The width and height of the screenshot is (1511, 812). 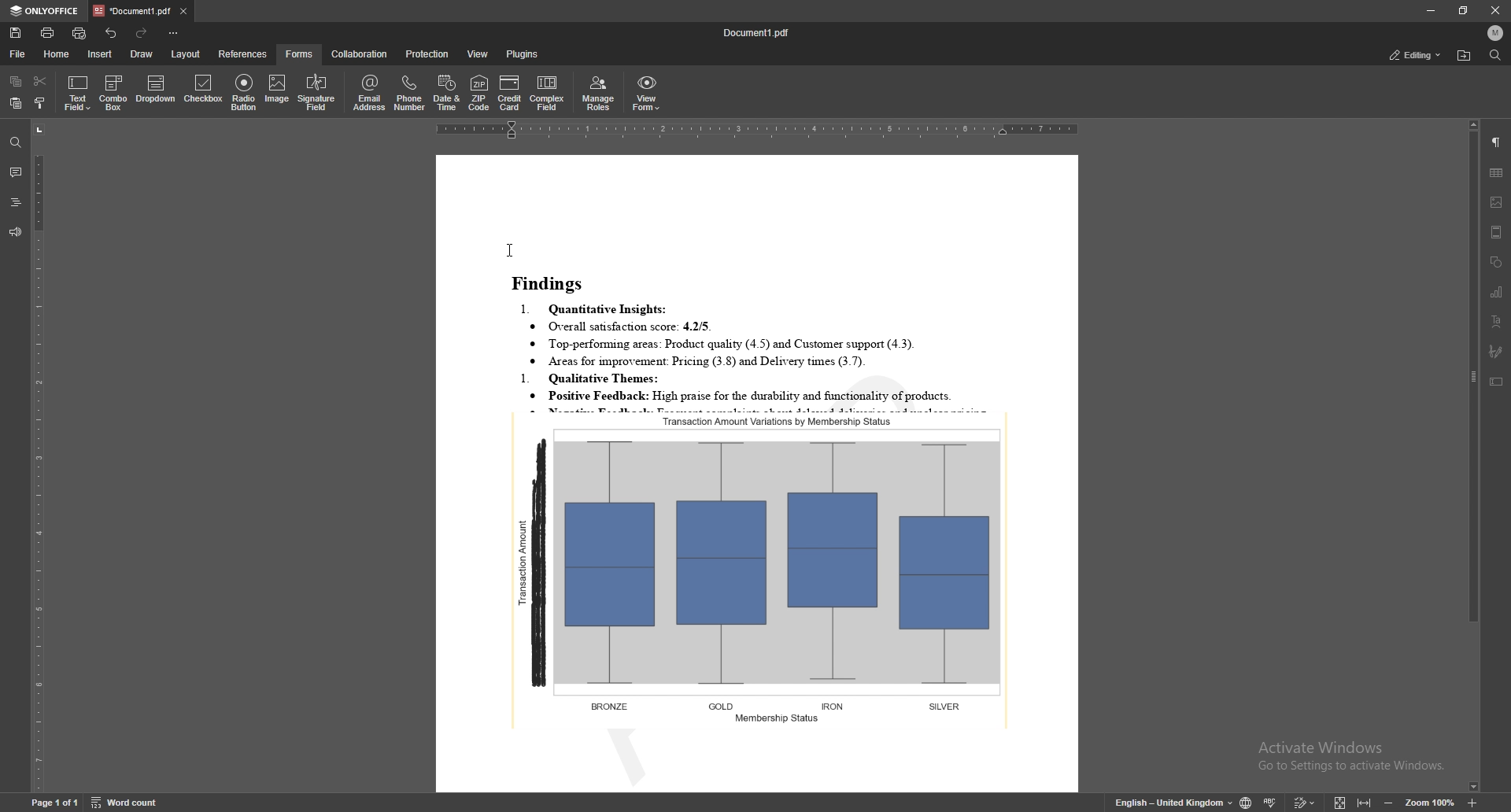 What do you see at coordinates (99, 54) in the screenshot?
I see `insert` at bounding box center [99, 54].